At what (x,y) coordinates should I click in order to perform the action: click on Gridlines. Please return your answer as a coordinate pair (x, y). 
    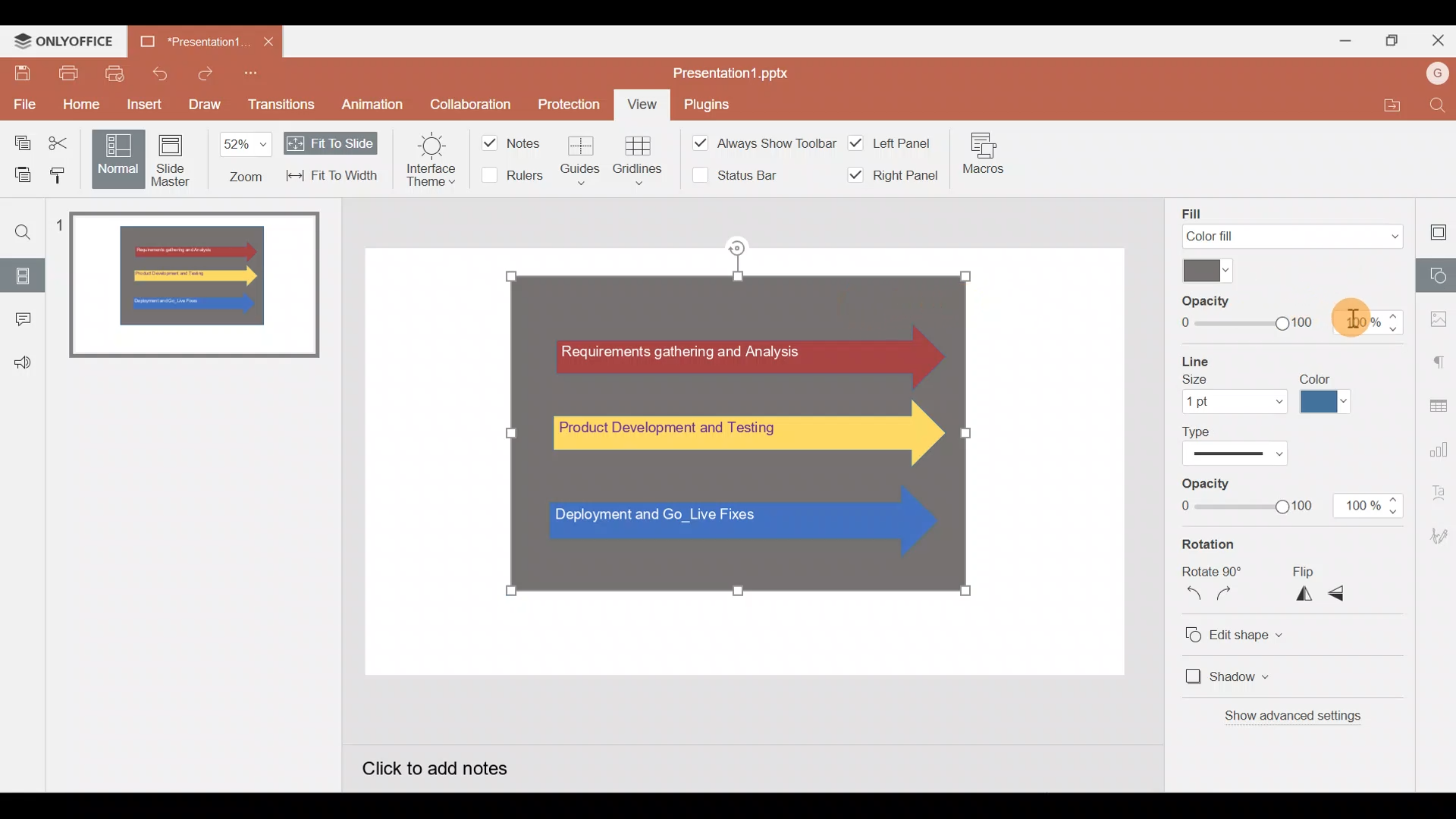
    Looking at the image, I should click on (639, 159).